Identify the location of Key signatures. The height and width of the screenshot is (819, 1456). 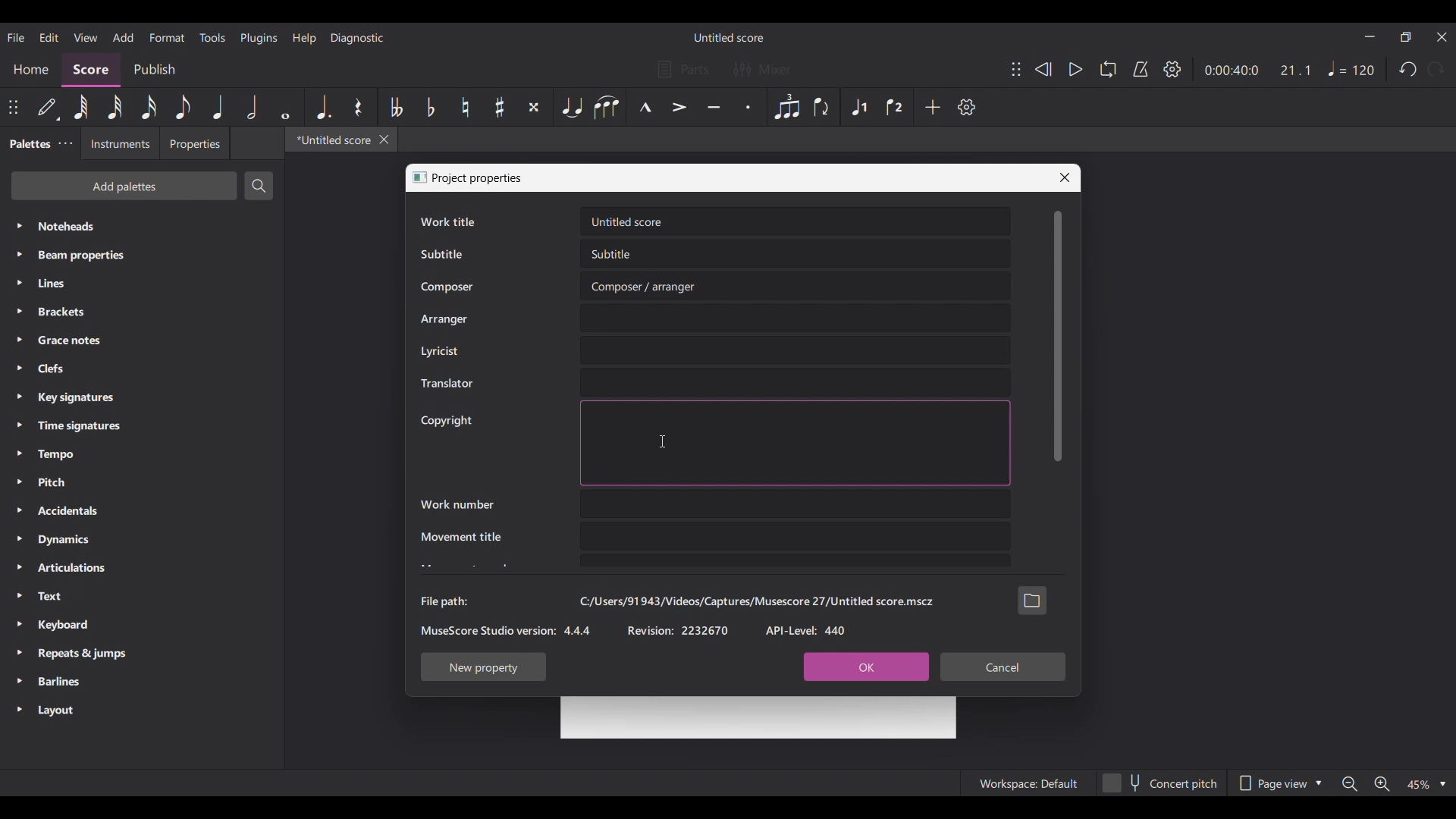
(143, 397).